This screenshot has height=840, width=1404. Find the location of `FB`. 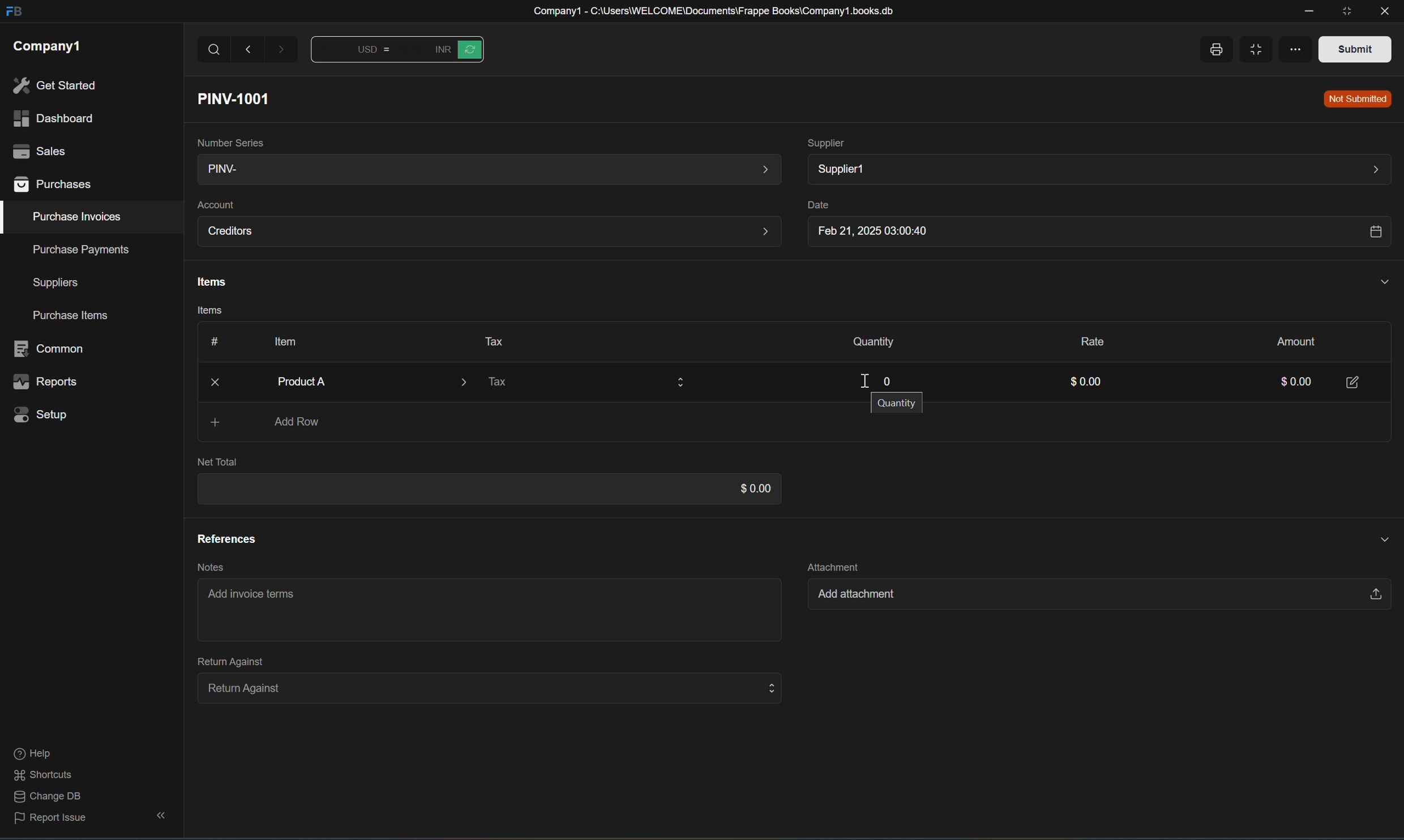

FB is located at coordinates (13, 12).